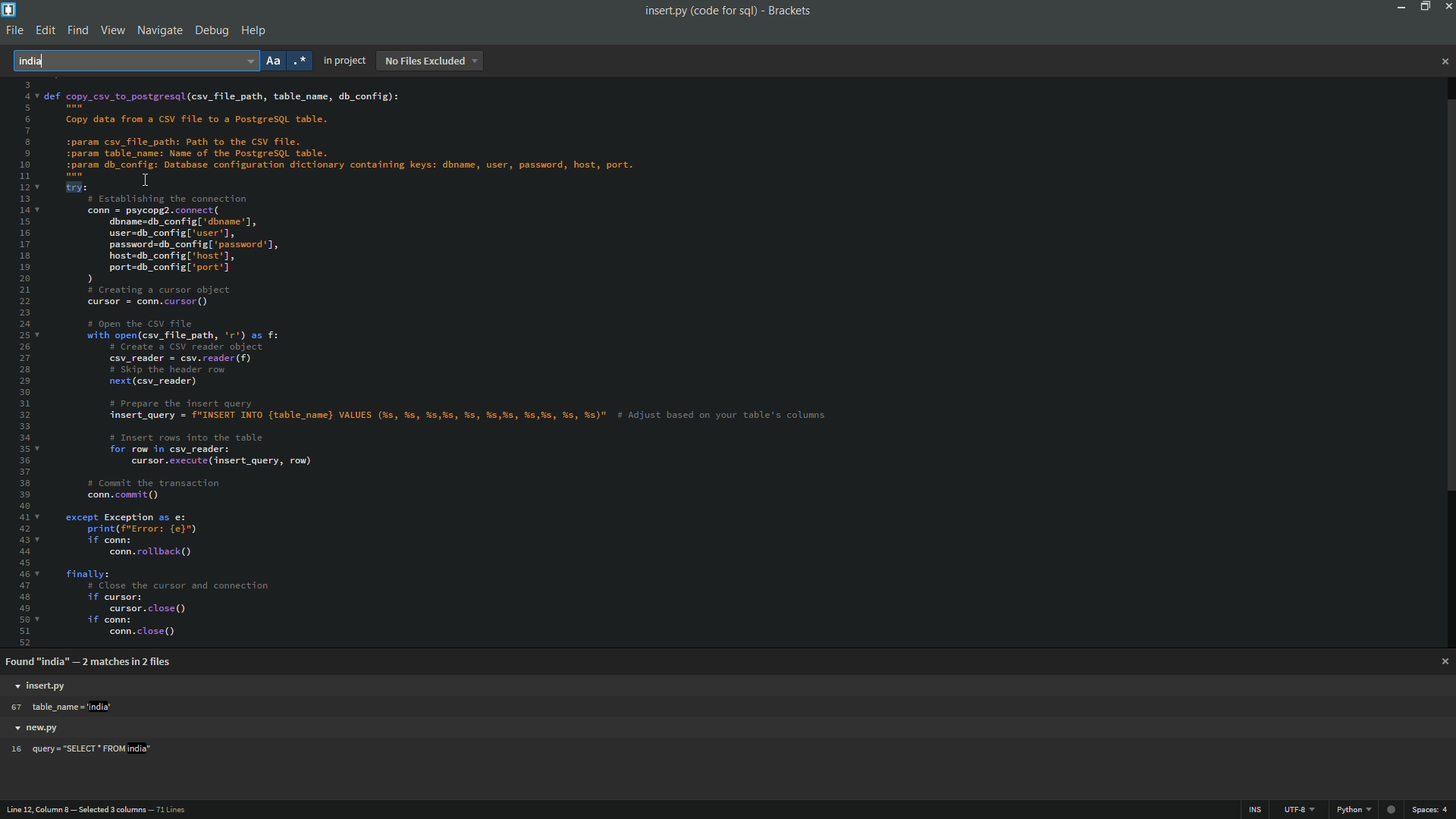 This screenshot has height=819, width=1456. What do you see at coordinates (1393, 807) in the screenshot?
I see `web` at bounding box center [1393, 807].